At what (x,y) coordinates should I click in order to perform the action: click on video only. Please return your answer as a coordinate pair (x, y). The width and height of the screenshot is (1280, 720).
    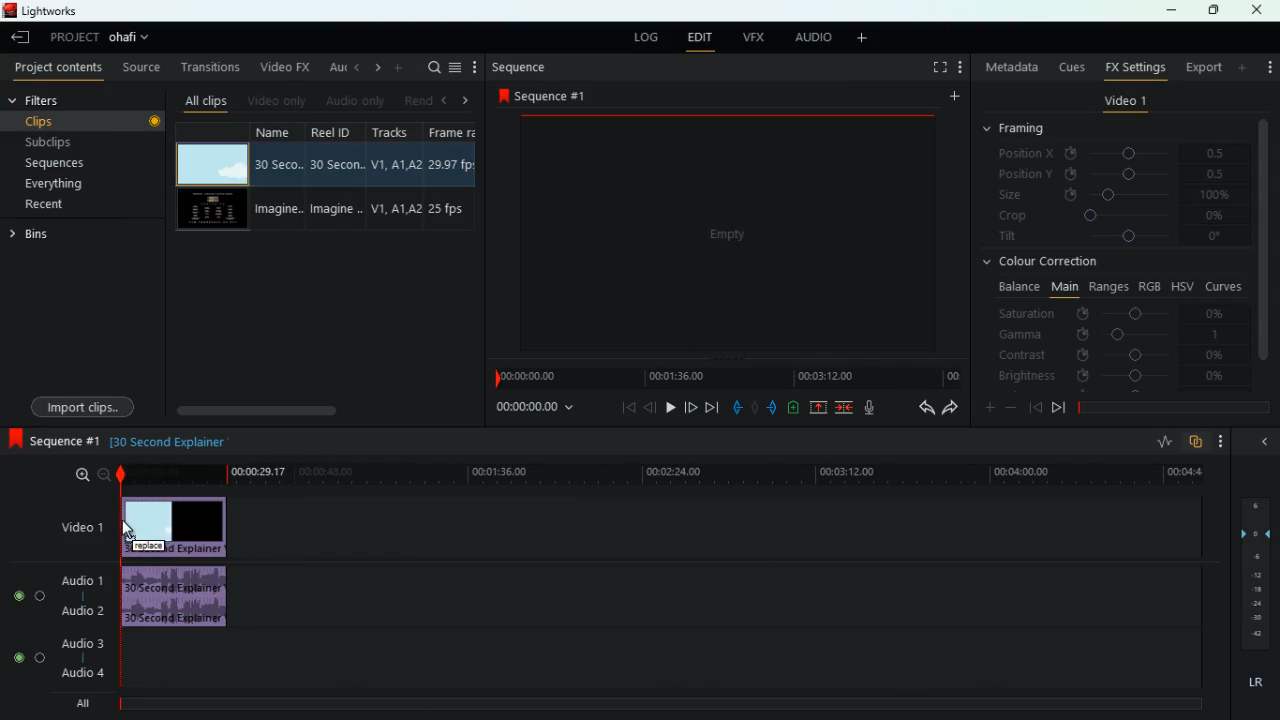
    Looking at the image, I should click on (277, 100).